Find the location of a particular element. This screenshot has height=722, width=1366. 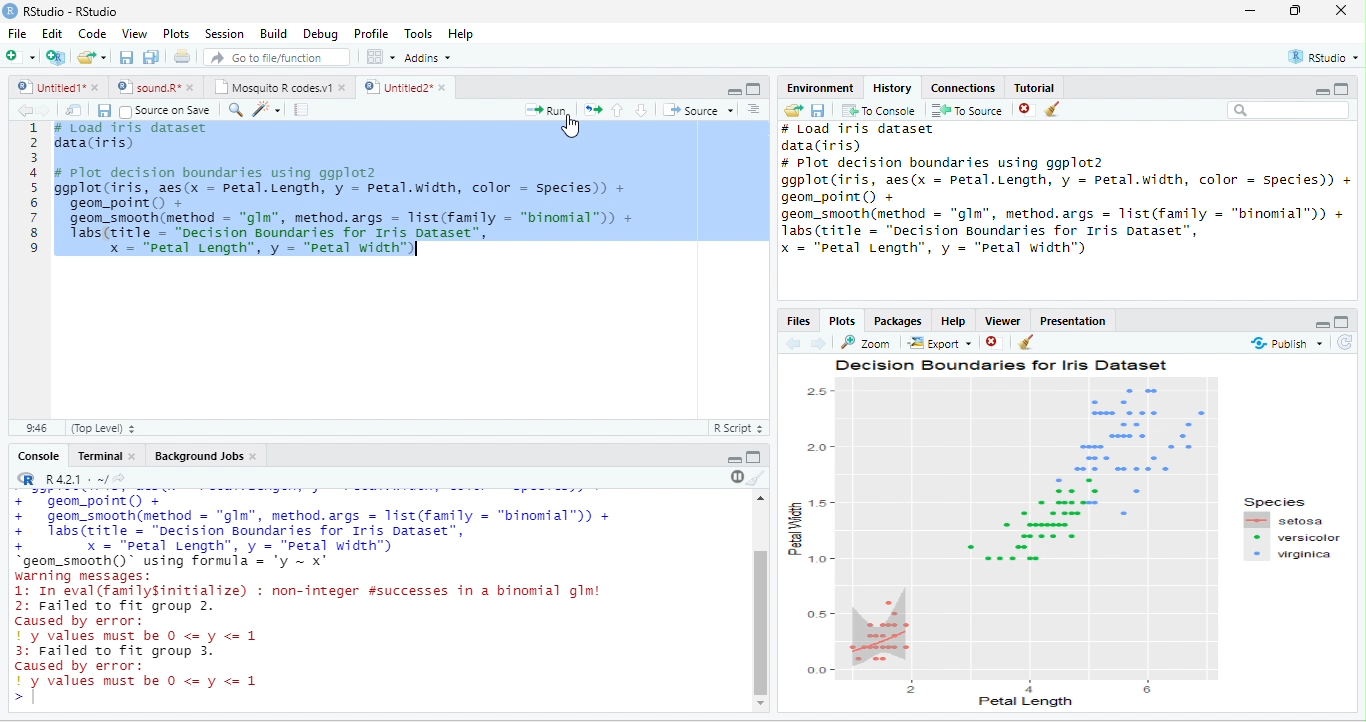

Files is located at coordinates (797, 322).